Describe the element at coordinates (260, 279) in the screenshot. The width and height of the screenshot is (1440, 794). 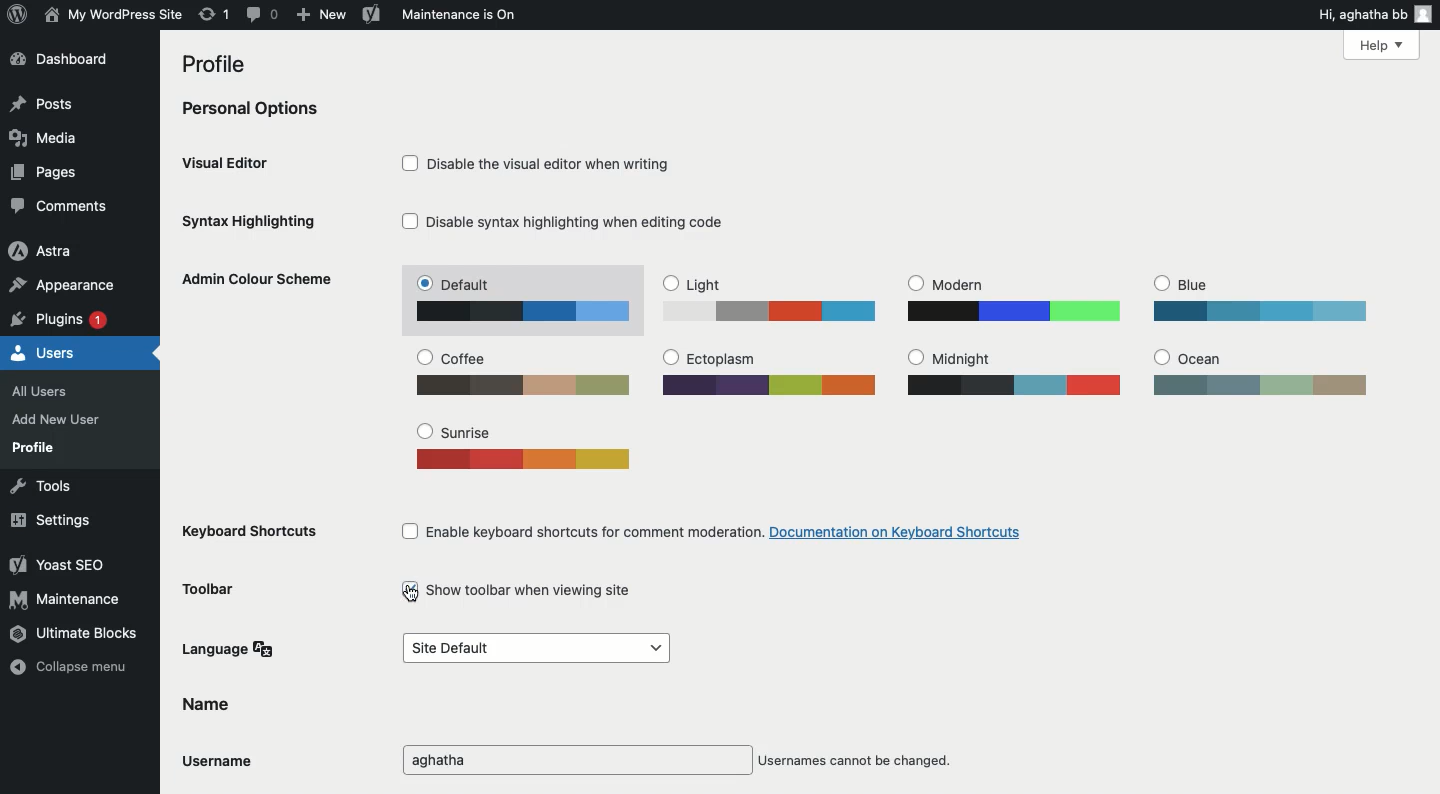
I see `Admin color scheme` at that location.